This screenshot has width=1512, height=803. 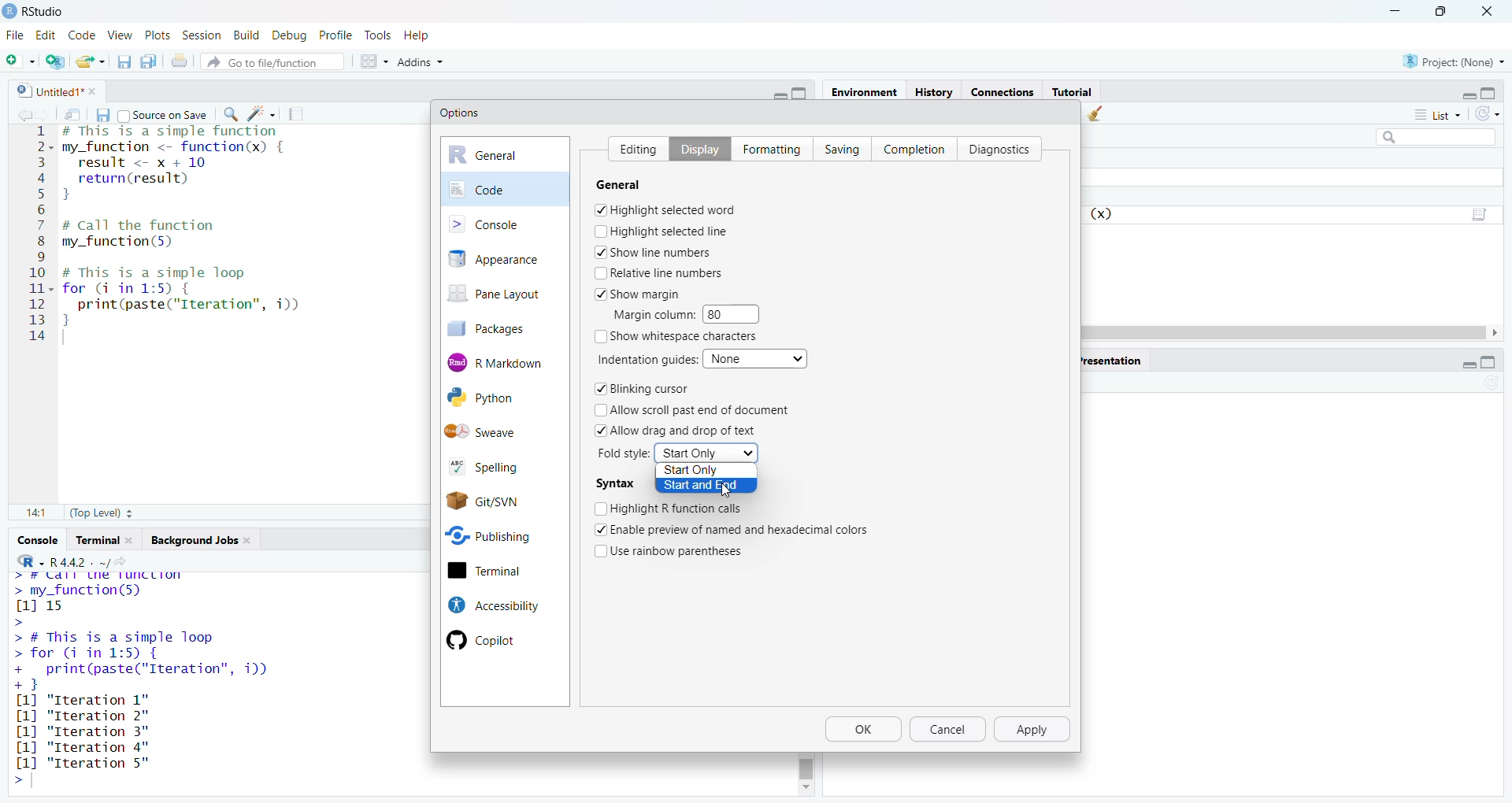 I want to click on addins, so click(x=421, y=61).